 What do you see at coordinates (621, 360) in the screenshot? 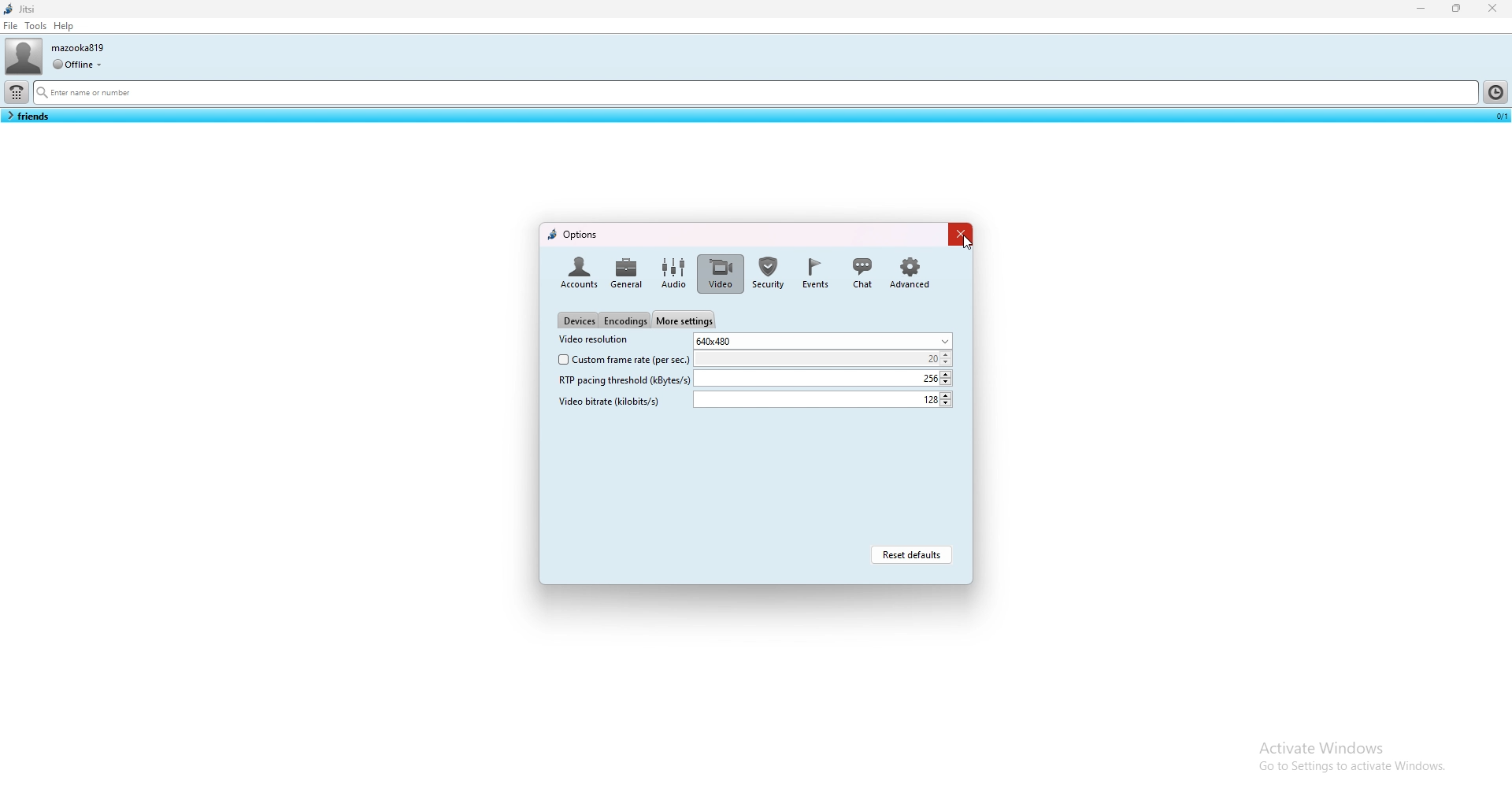
I see `Custom frame rate(per sec.)` at bounding box center [621, 360].